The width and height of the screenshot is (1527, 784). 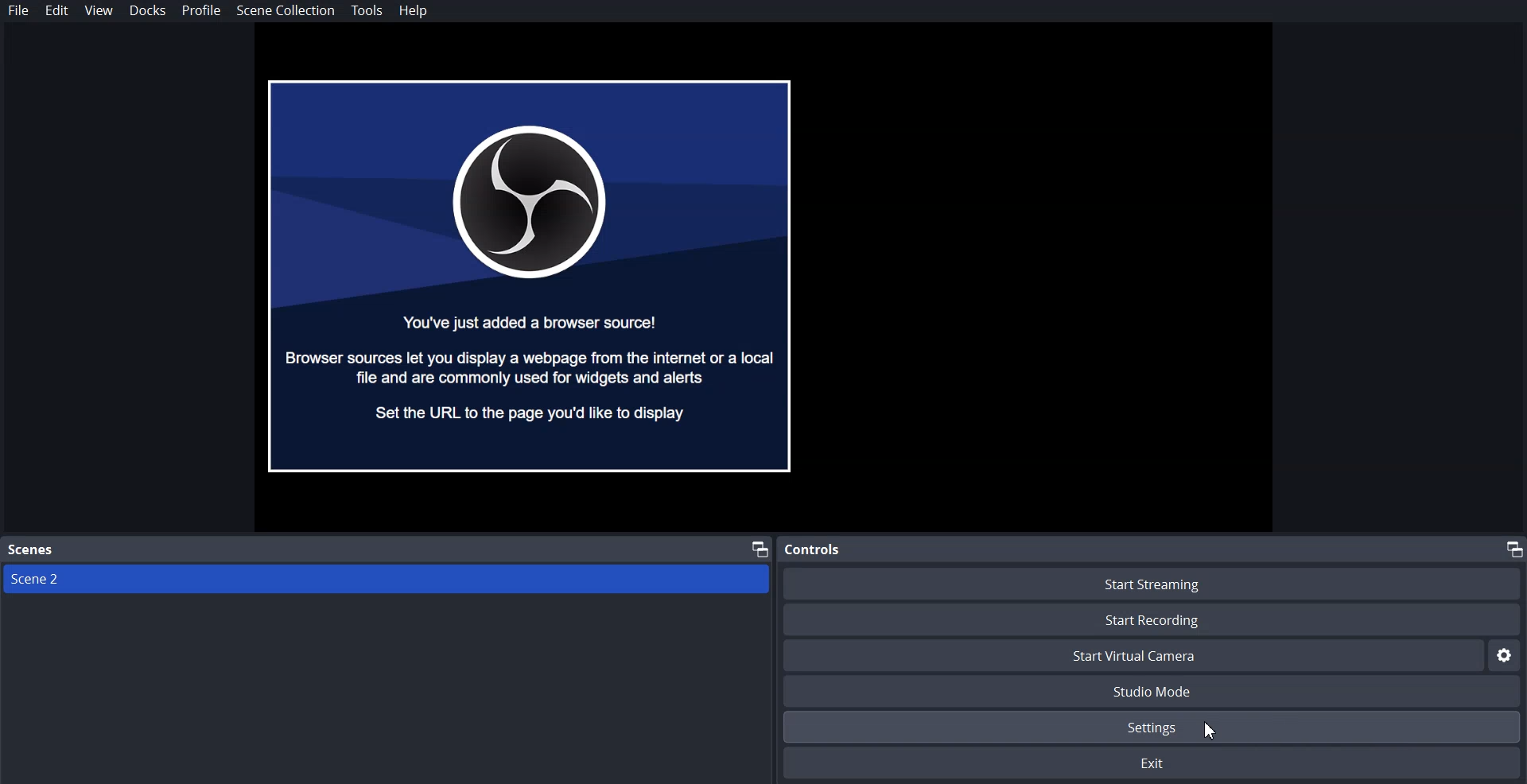 I want to click on Help, so click(x=418, y=10).